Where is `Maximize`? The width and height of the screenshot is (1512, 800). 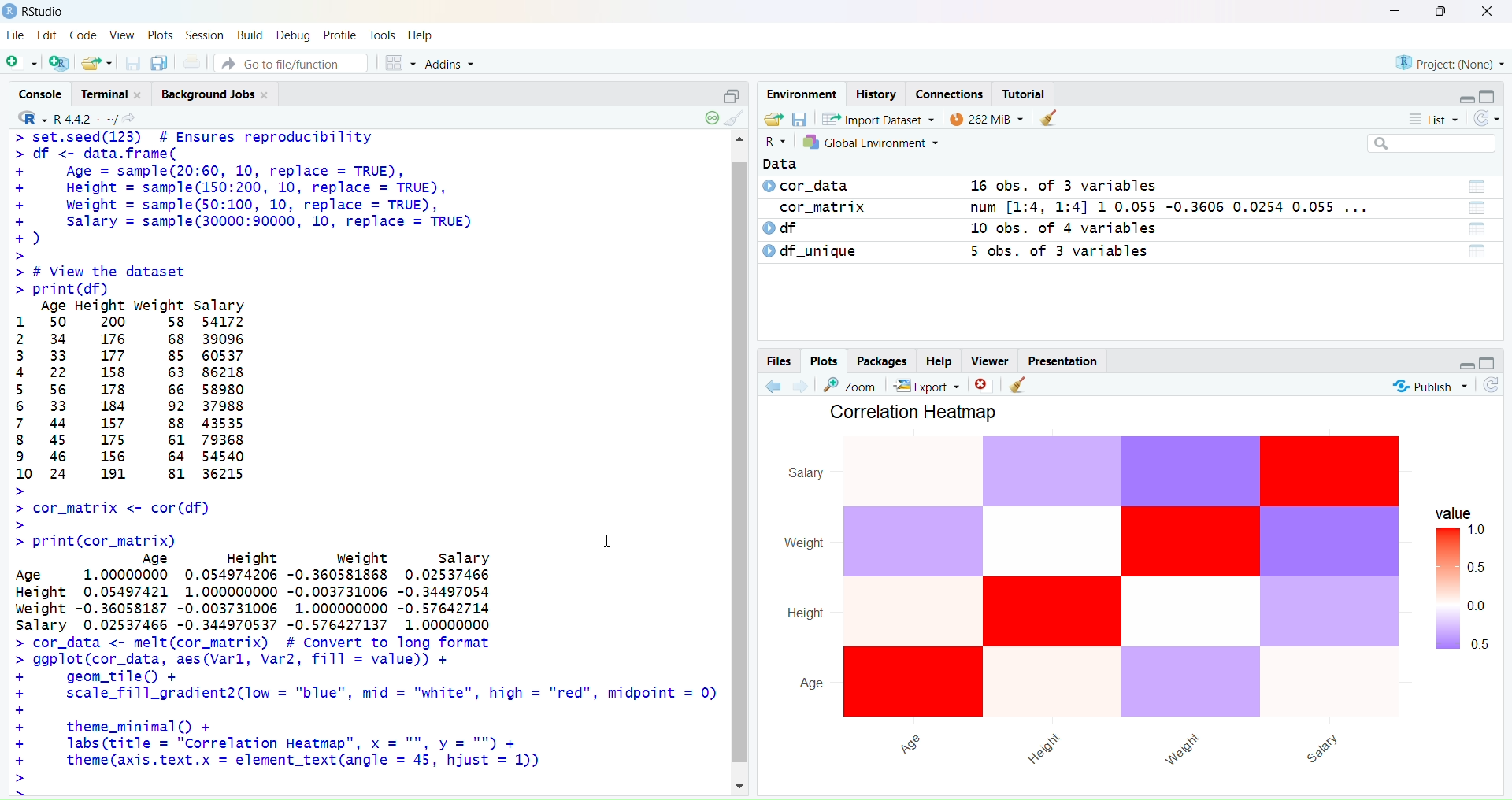 Maximize is located at coordinates (1441, 12).